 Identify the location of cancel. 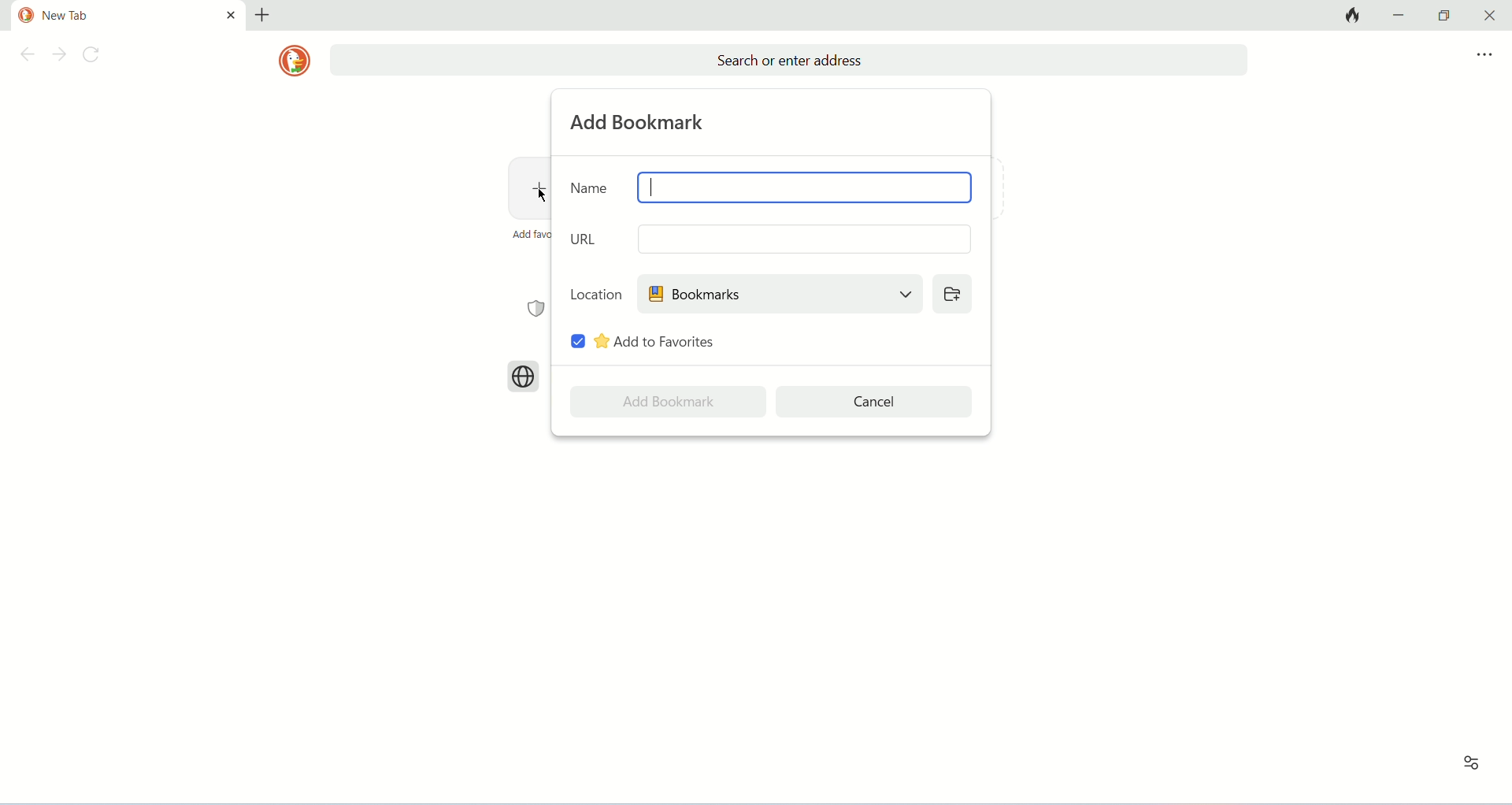
(876, 402).